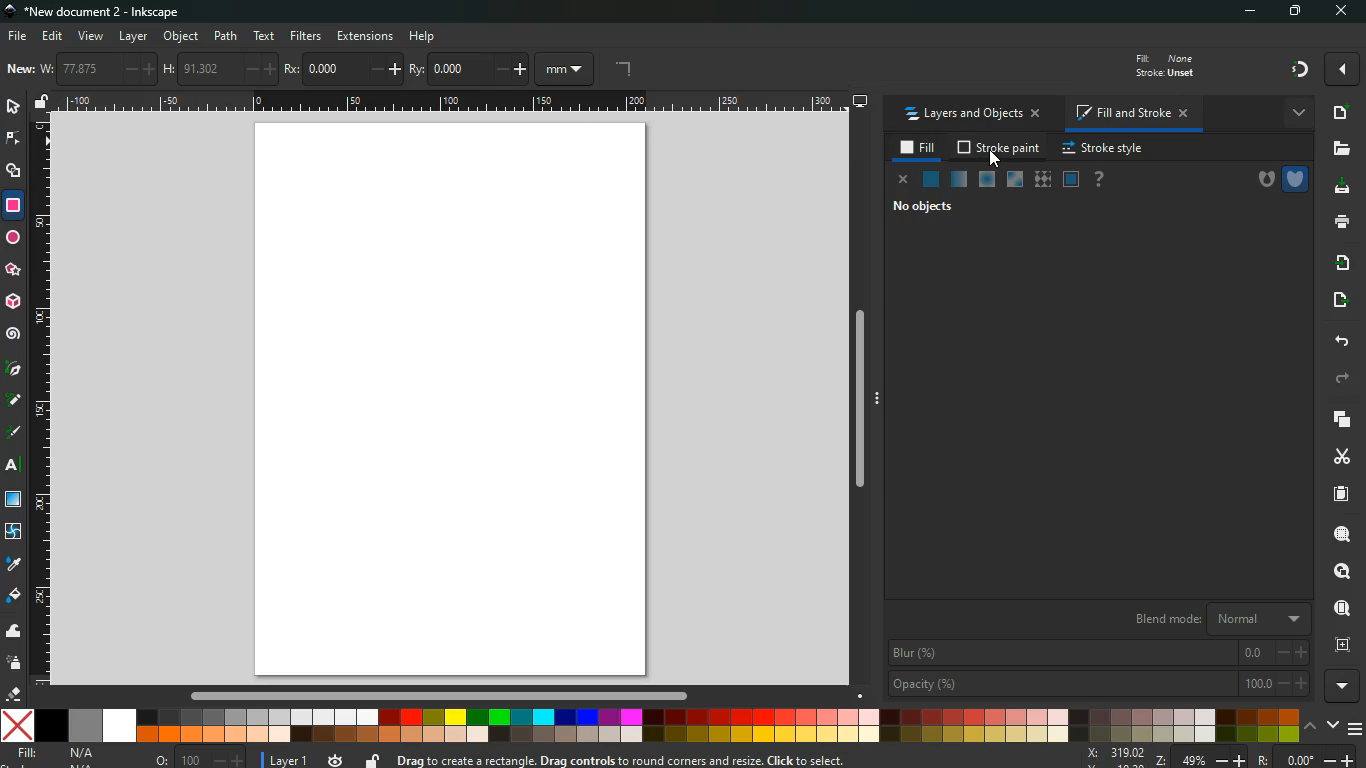  Describe the element at coordinates (13, 402) in the screenshot. I see `highlight` at that location.